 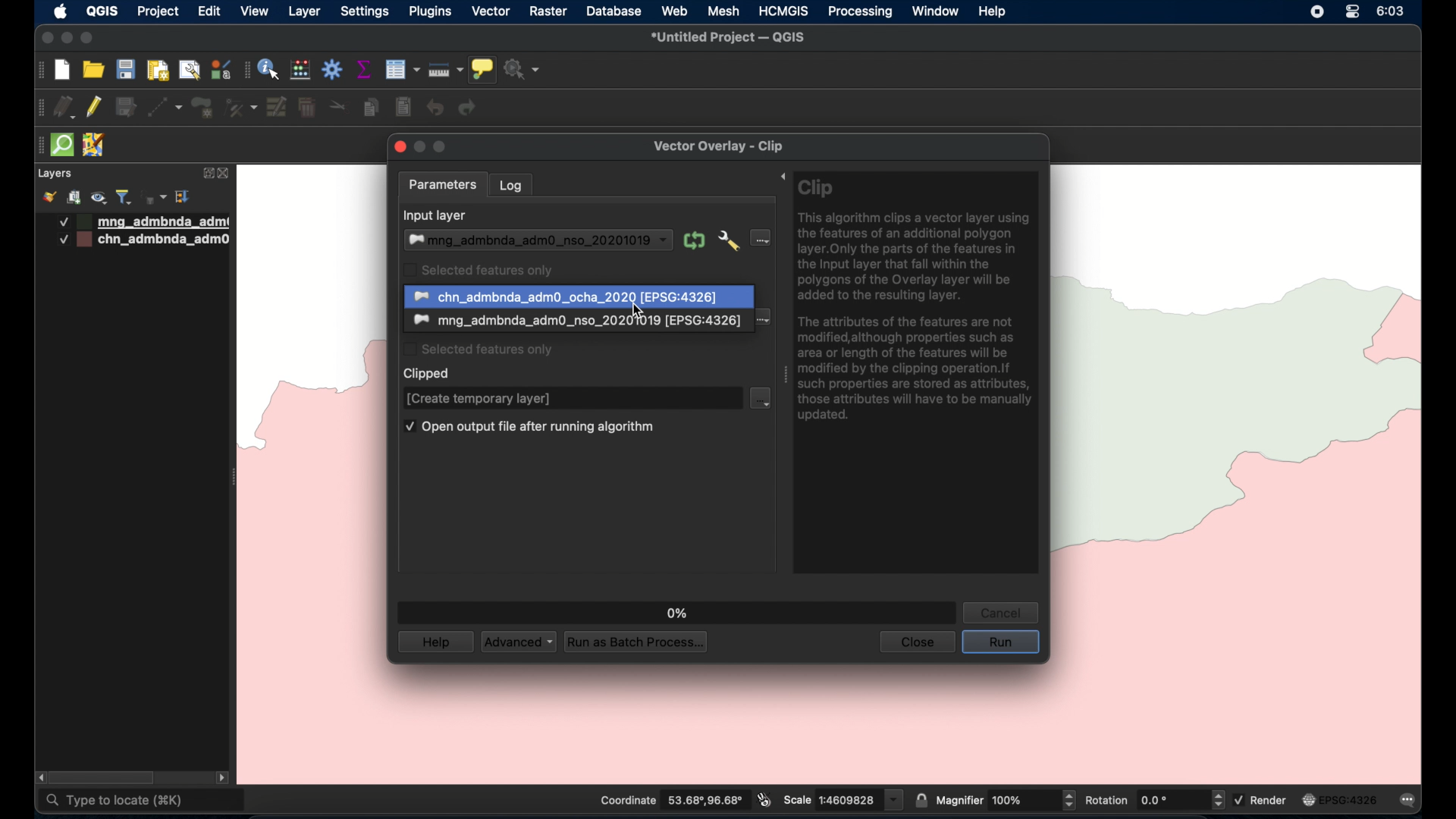 What do you see at coordinates (157, 13) in the screenshot?
I see `project` at bounding box center [157, 13].